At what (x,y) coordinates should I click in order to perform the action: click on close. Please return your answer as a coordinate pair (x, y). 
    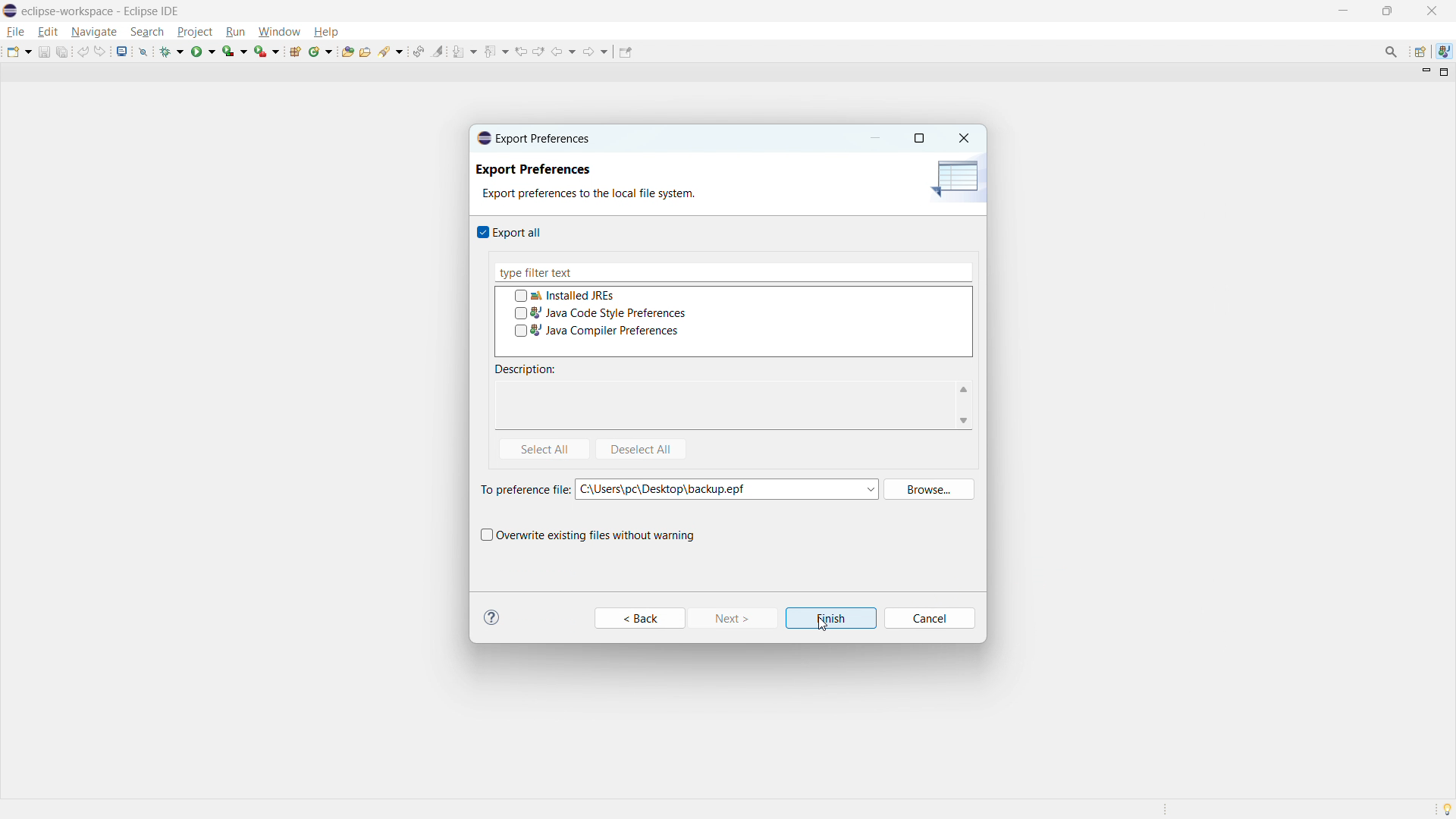
    Looking at the image, I should click on (1431, 11).